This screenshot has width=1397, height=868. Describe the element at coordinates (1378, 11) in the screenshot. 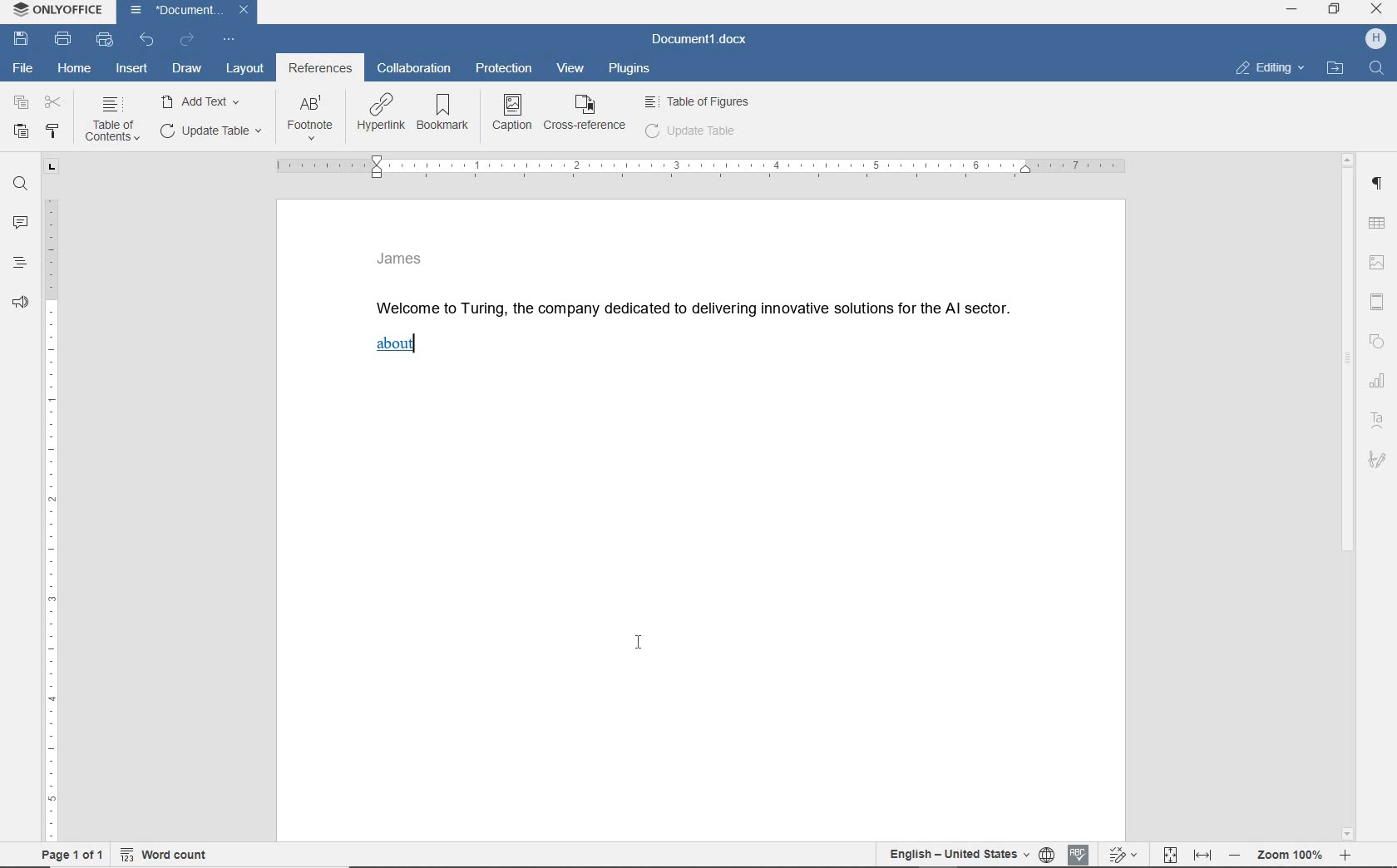

I see `Close` at that location.